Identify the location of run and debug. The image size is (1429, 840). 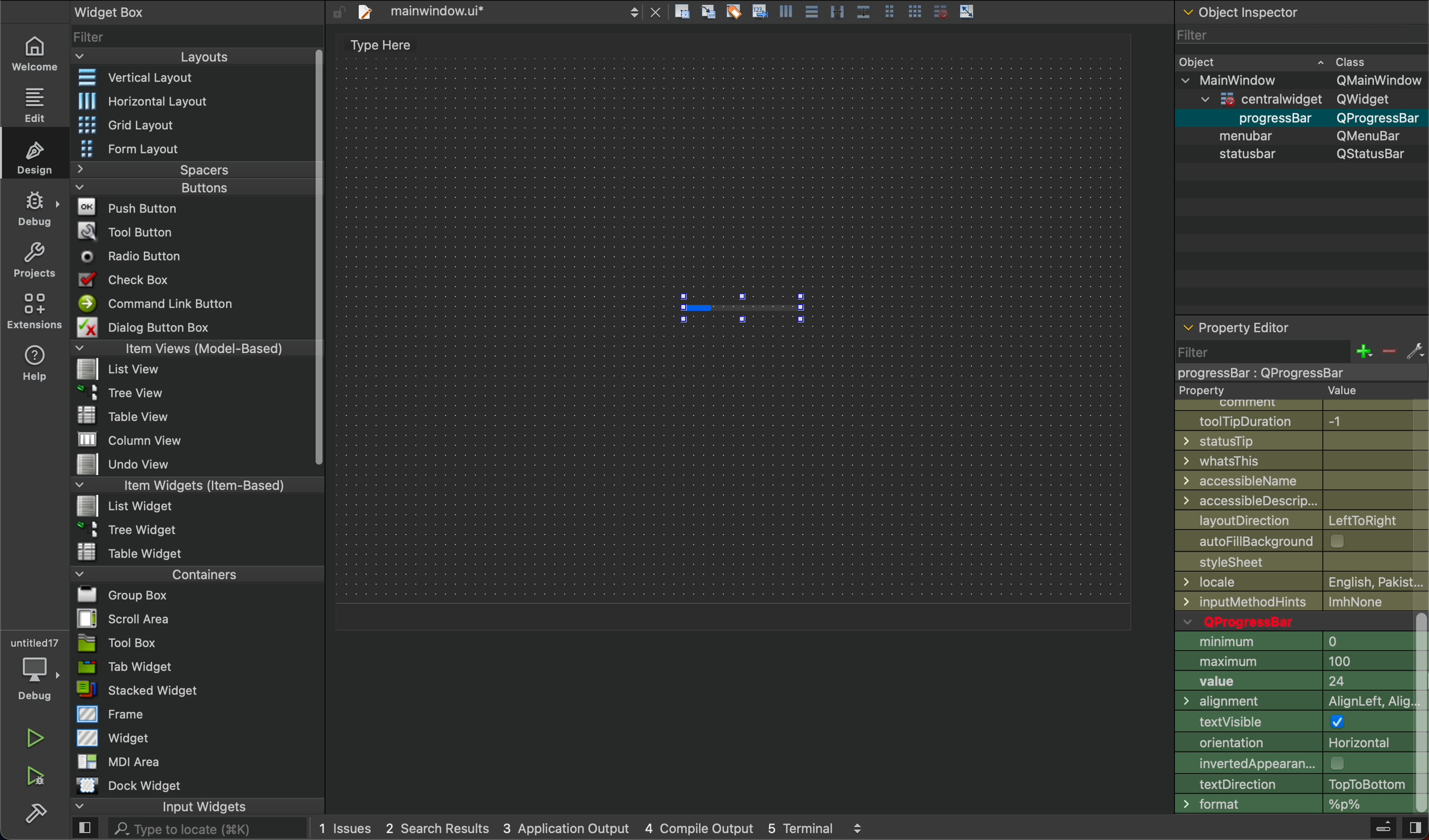
(37, 776).